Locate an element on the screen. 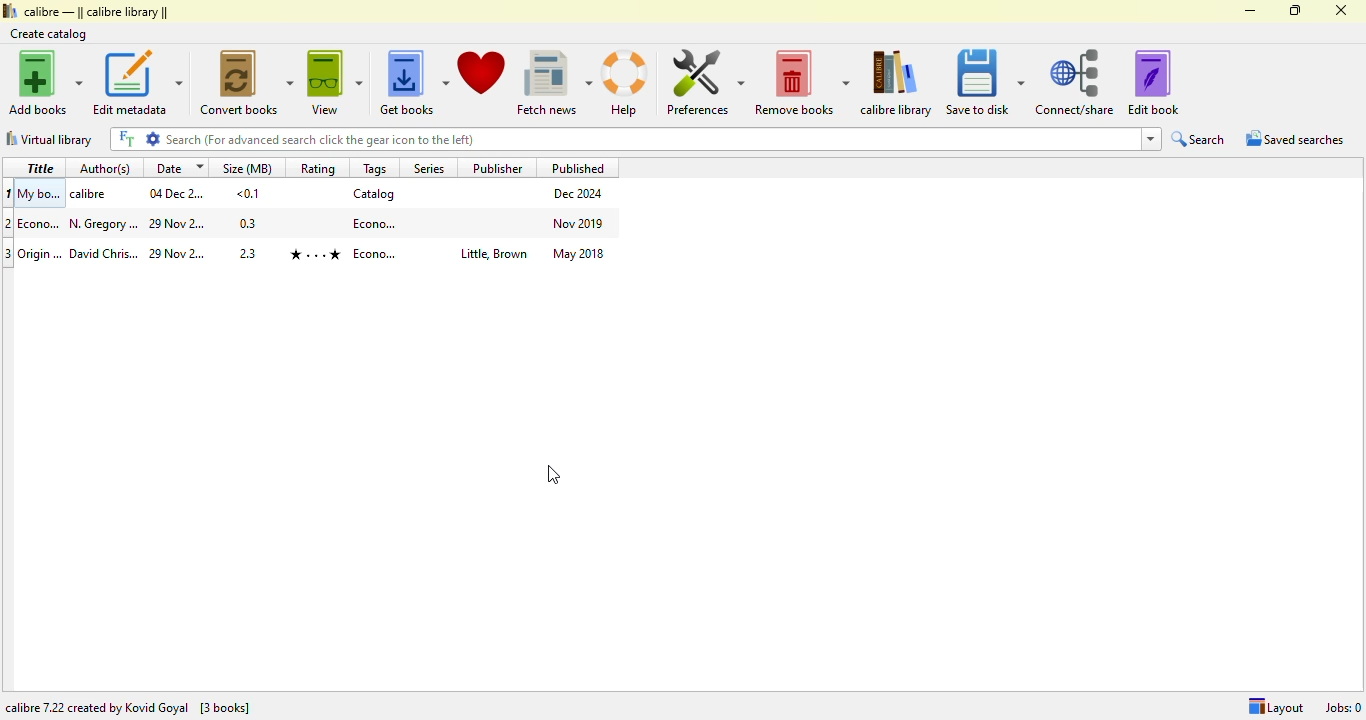  preferences is located at coordinates (704, 81).